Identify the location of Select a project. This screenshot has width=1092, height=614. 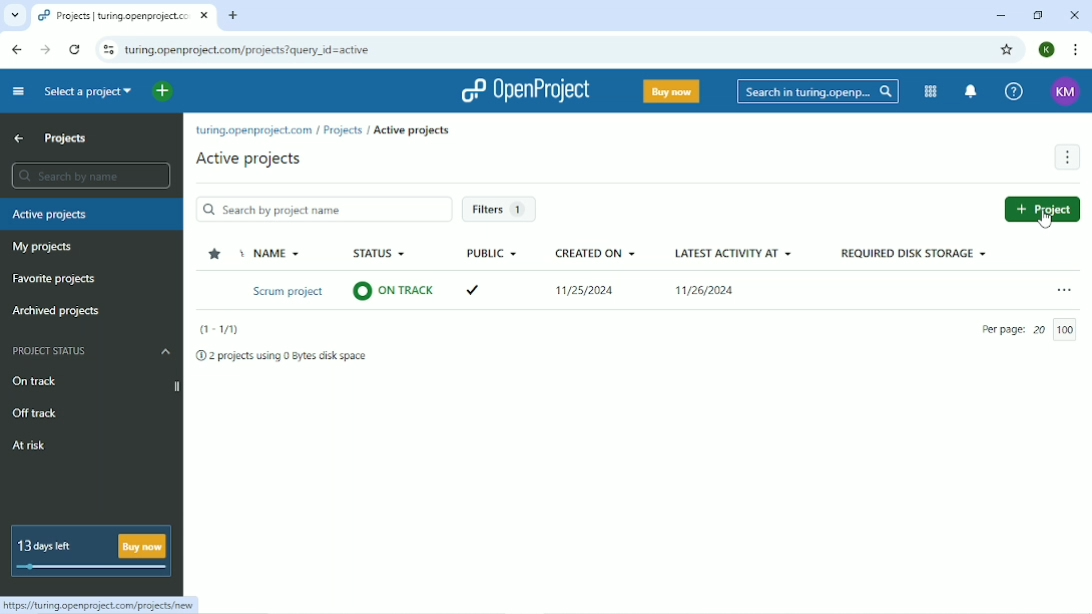
(88, 94).